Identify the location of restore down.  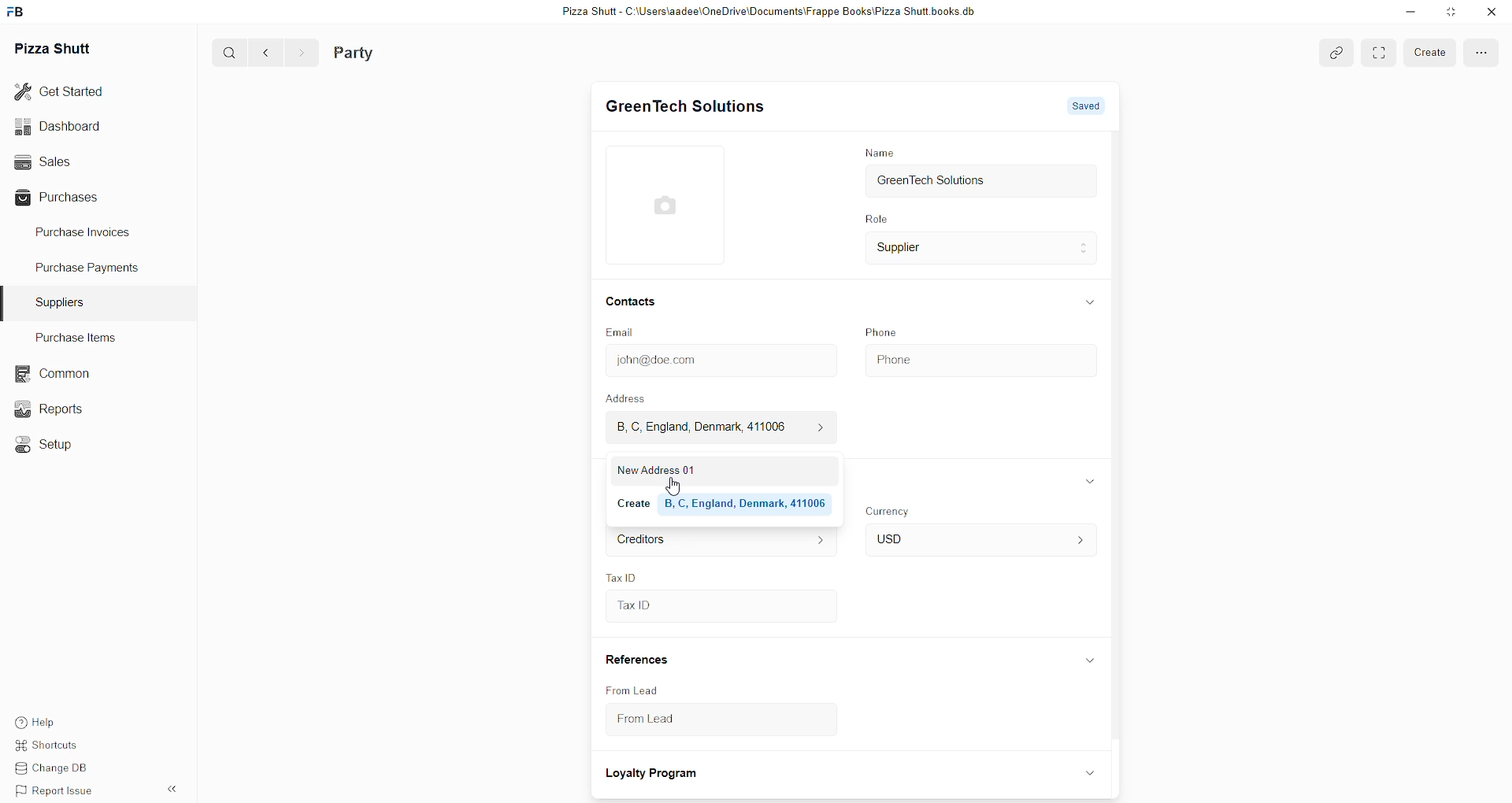
(1449, 13).